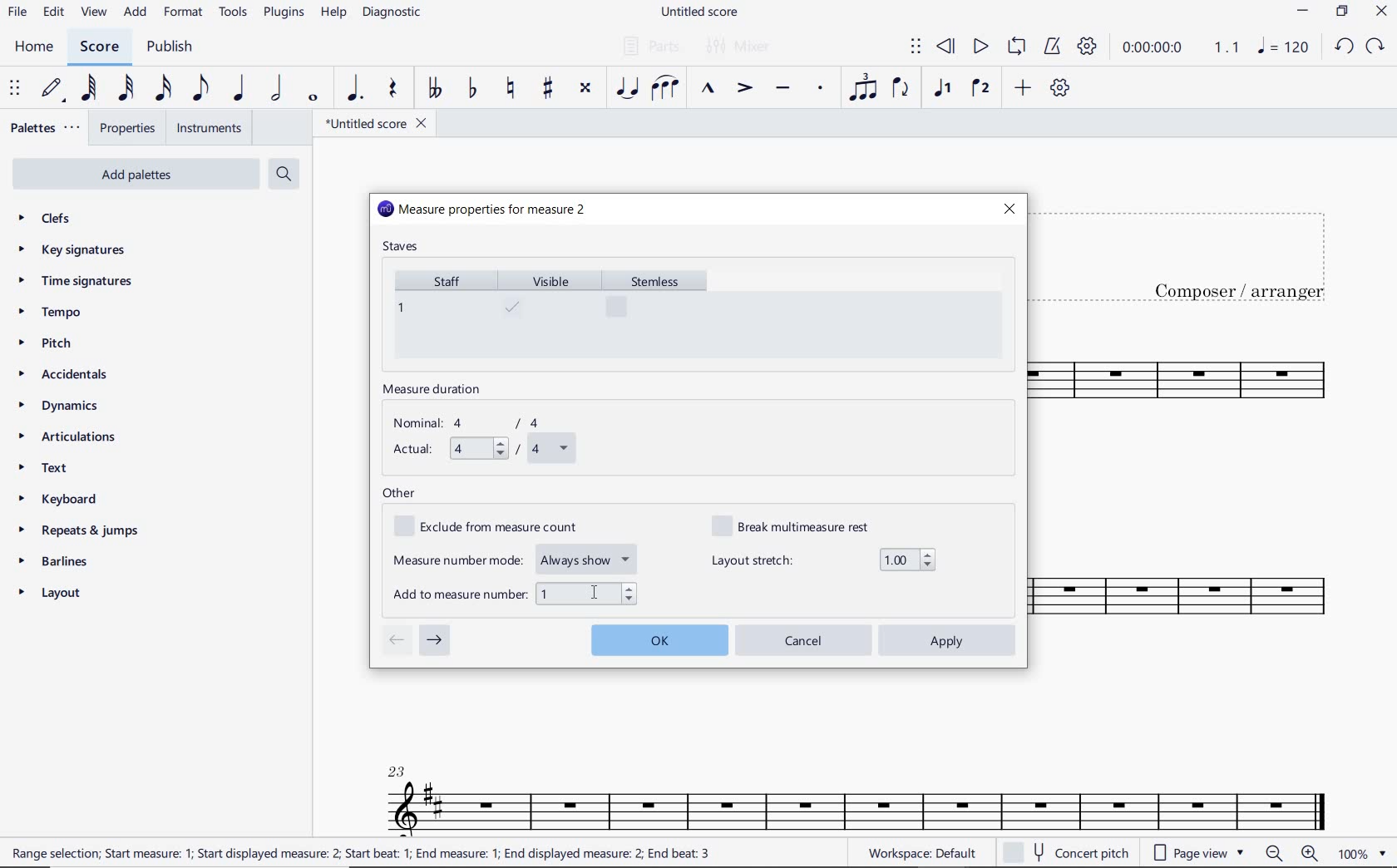 This screenshot has width=1397, height=868. What do you see at coordinates (515, 592) in the screenshot?
I see `add to measure number` at bounding box center [515, 592].